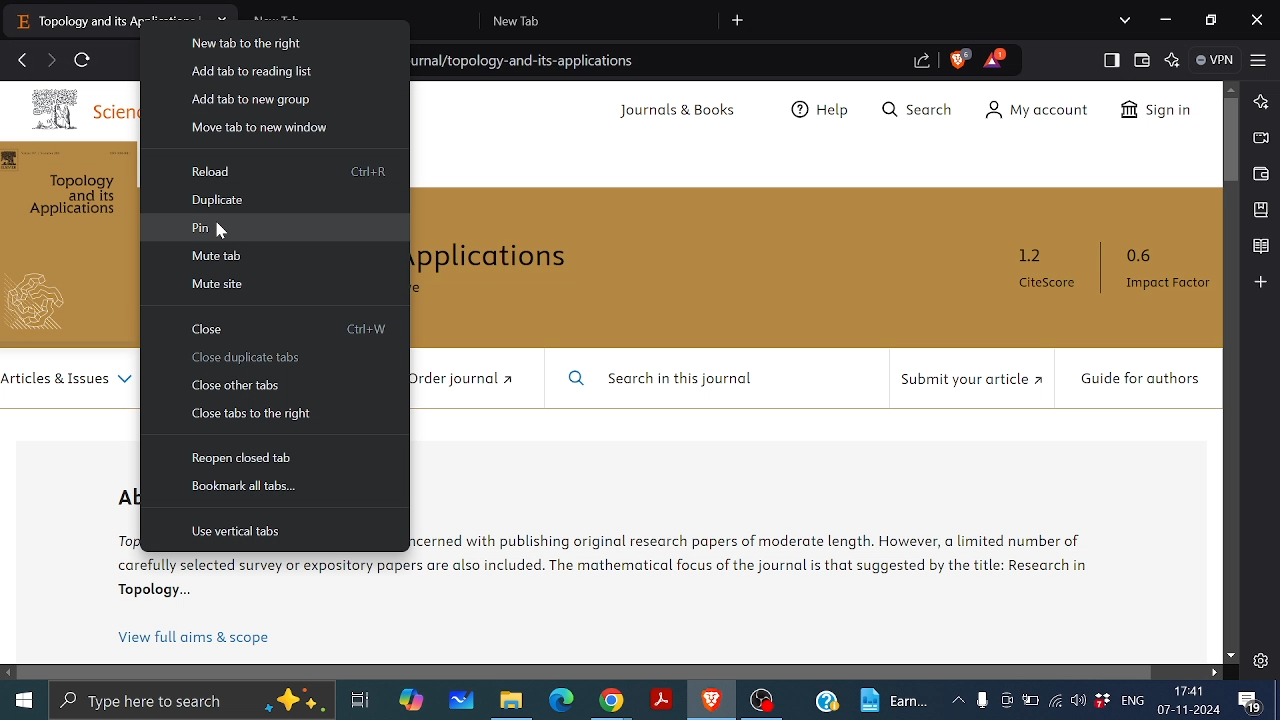 Image resolution: width=1280 pixels, height=720 pixels. I want to click on Bookmark all tabs, so click(243, 486).